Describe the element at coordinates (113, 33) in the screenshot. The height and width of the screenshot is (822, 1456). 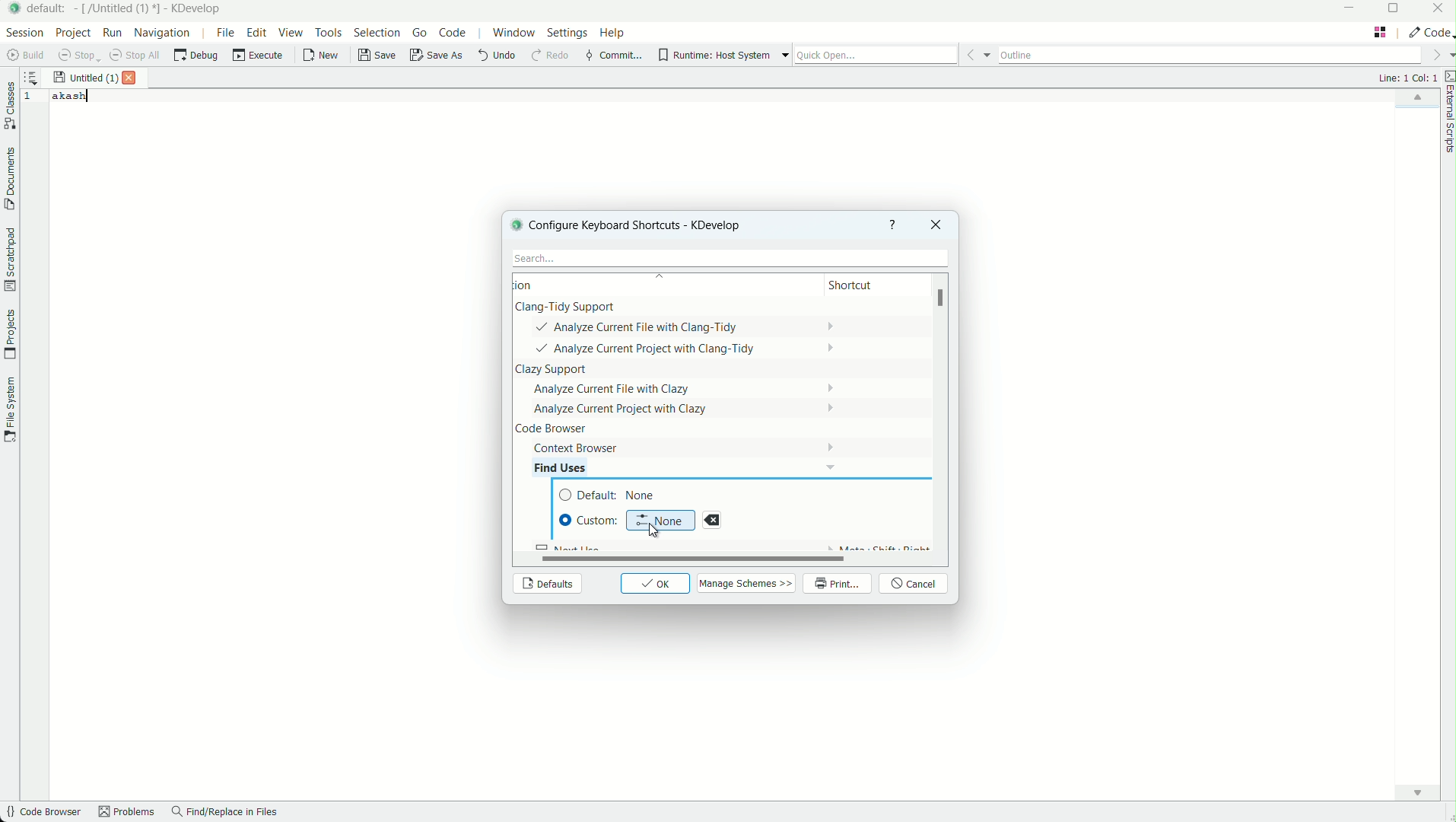
I see `run menu` at that location.